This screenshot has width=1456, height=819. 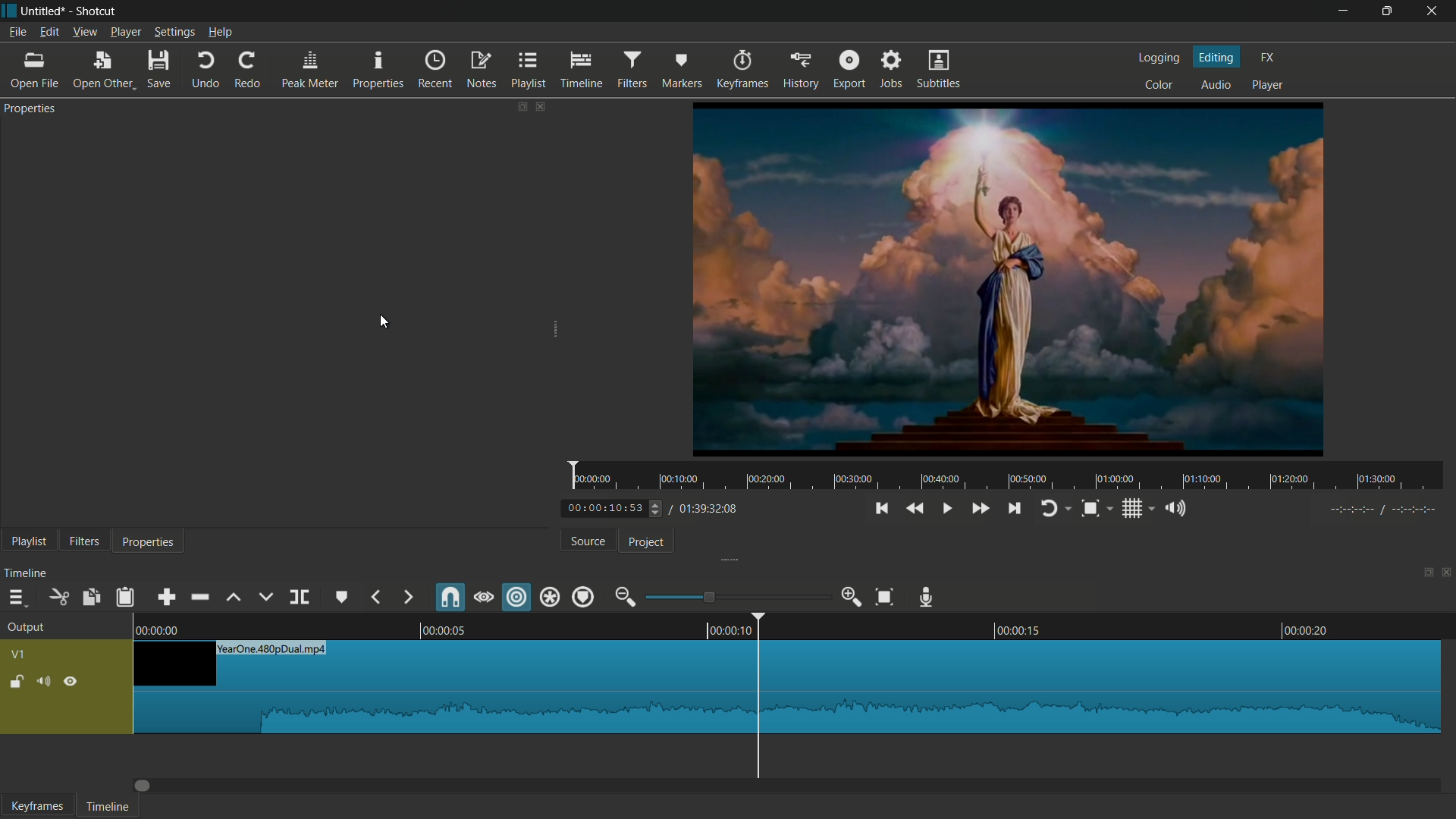 I want to click on total time, so click(x=711, y=509).